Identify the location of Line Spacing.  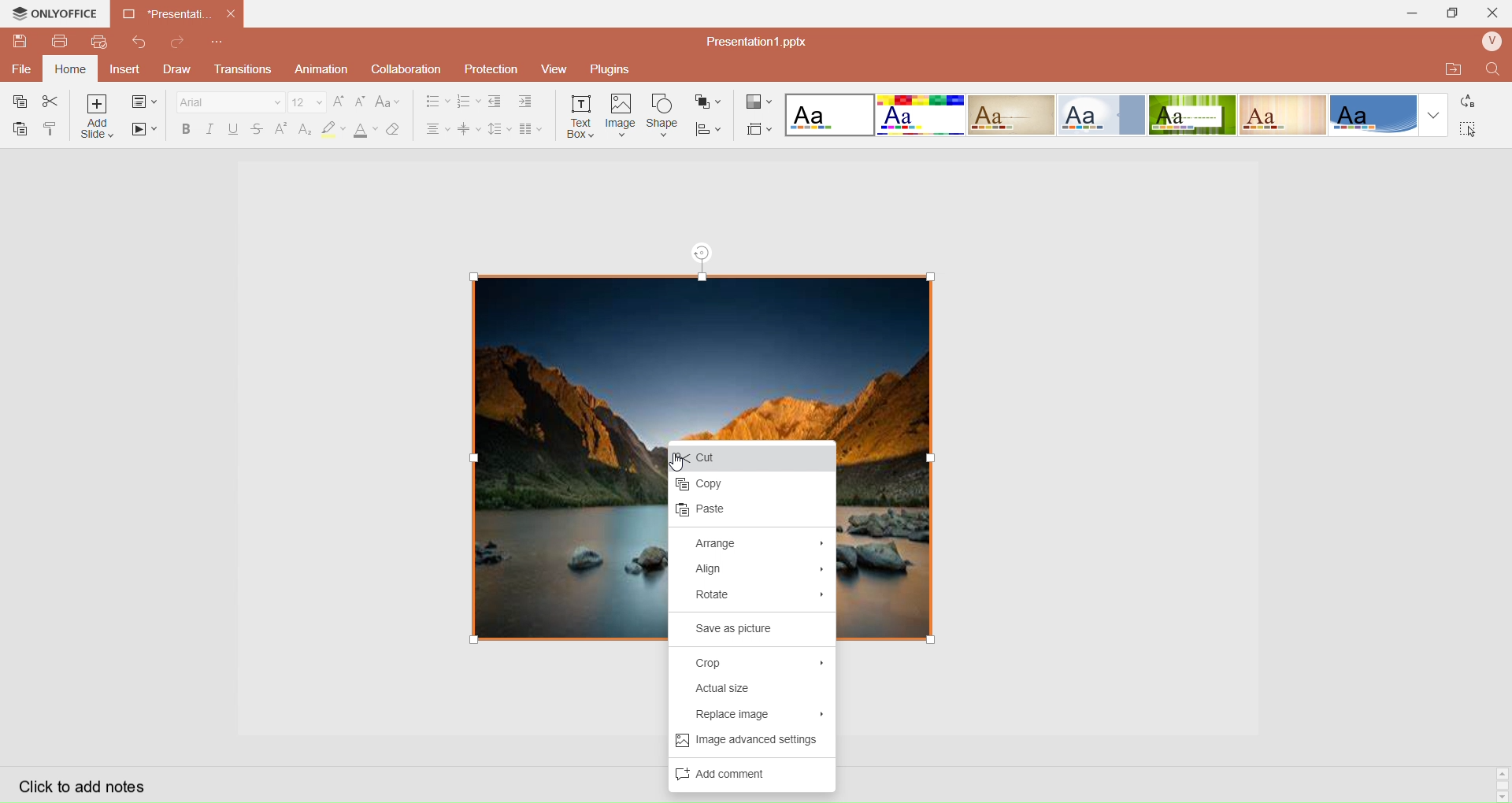
(502, 129).